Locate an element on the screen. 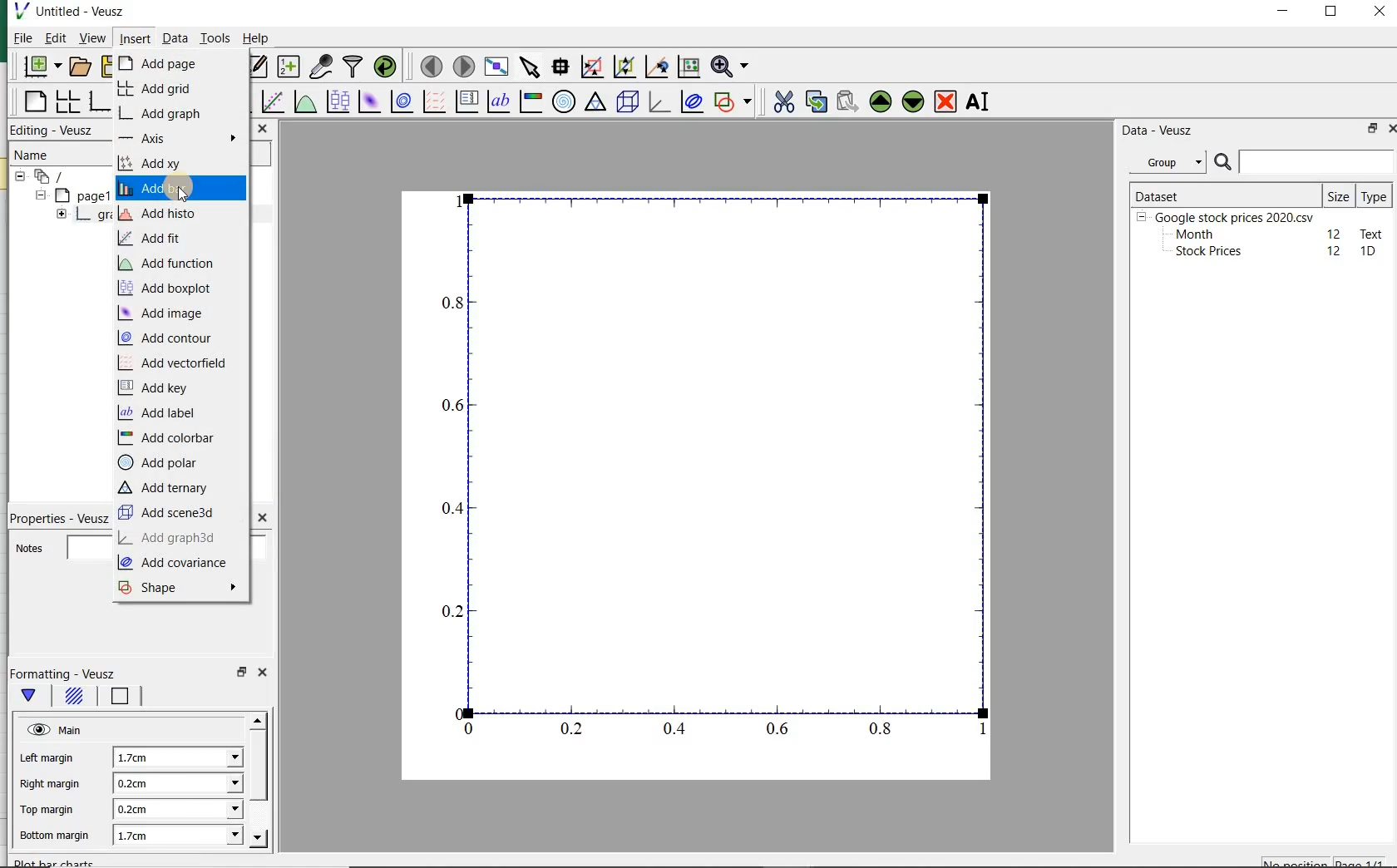 This screenshot has width=1397, height=868. insert is located at coordinates (134, 39).